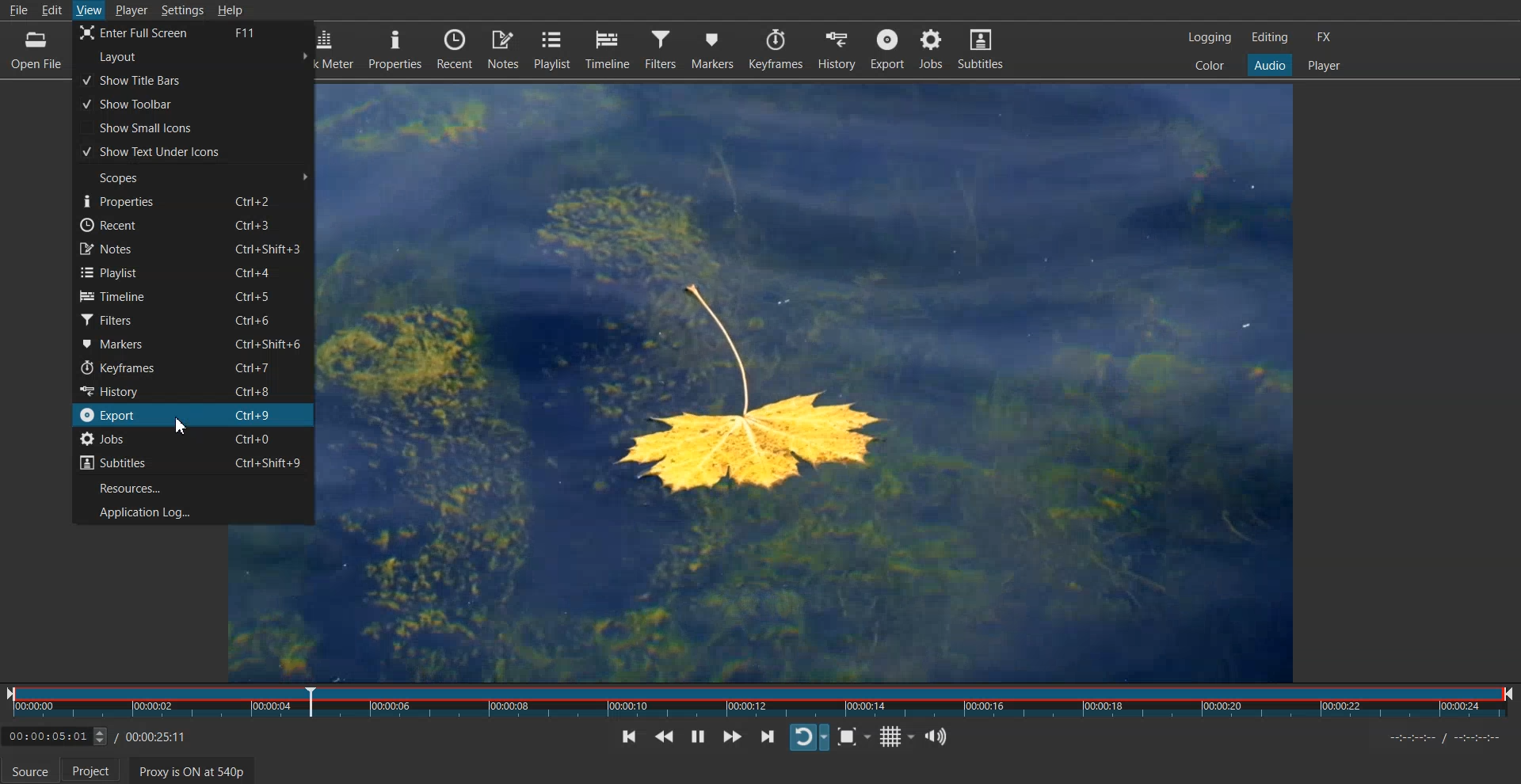 The height and width of the screenshot is (784, 1521). I want to click on Editing, so click(1270, 36).